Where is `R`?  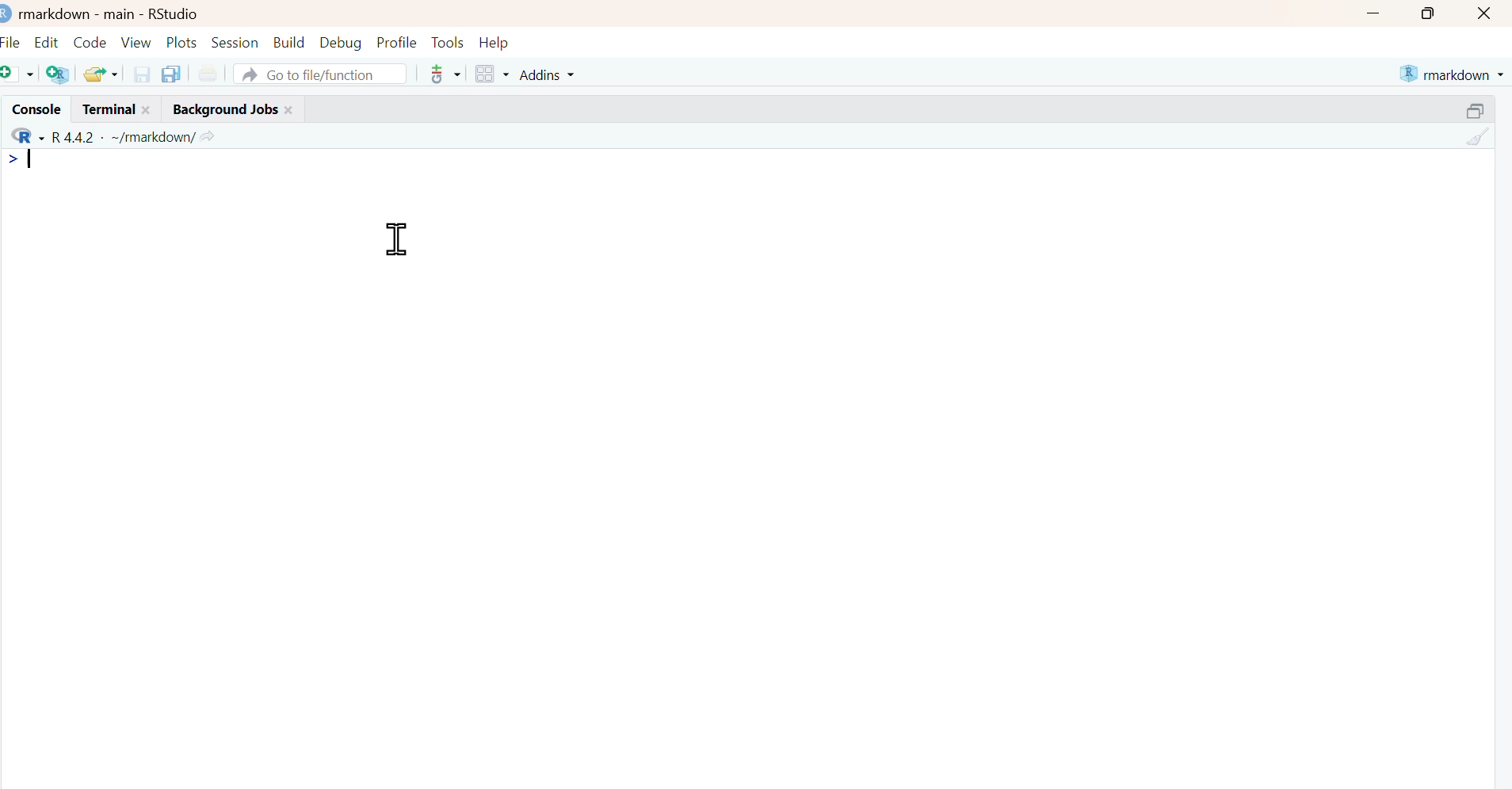
R is located at coordinates (25, 135).